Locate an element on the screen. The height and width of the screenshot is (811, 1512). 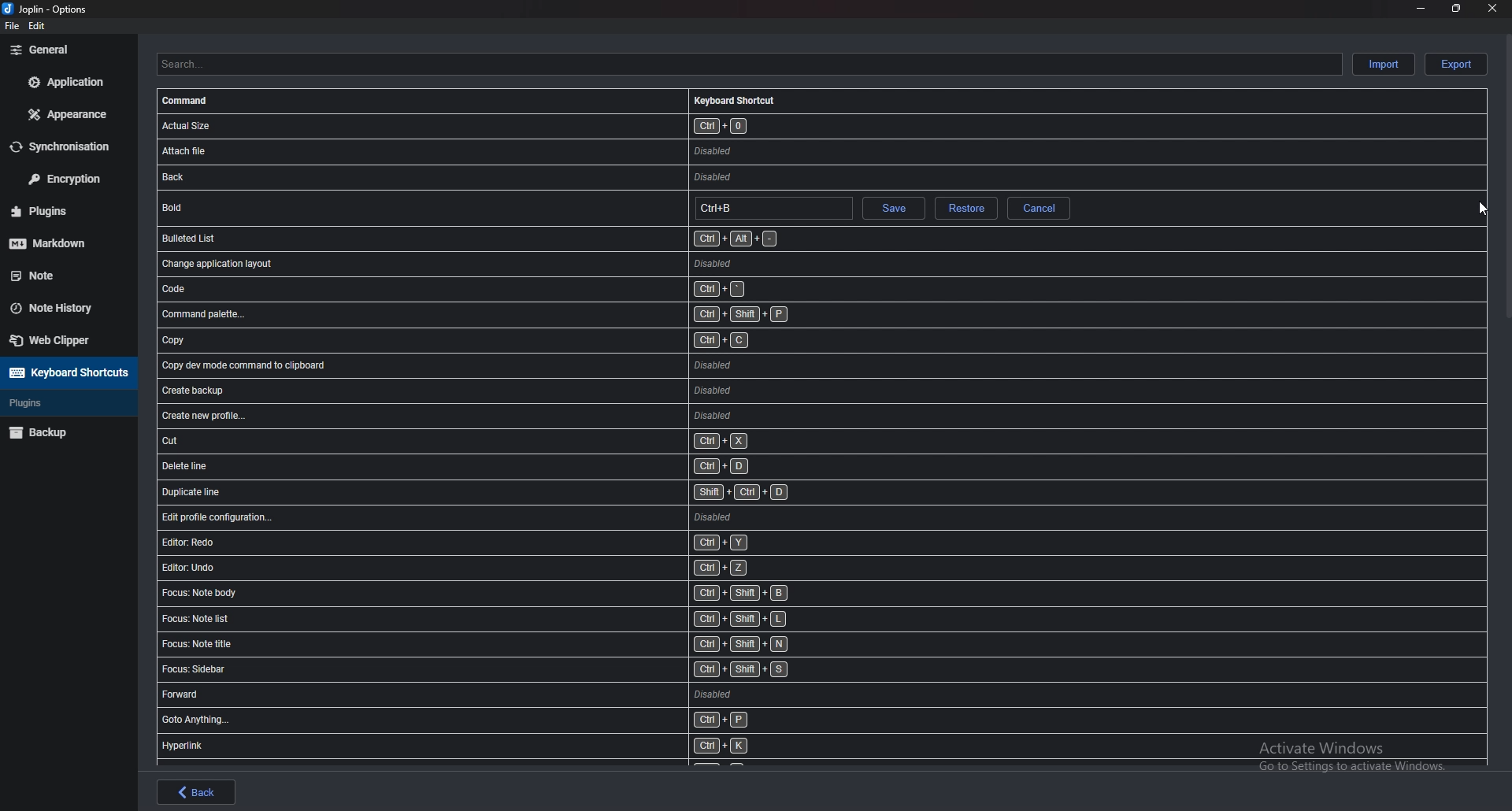
Encryption is located at coordinates (65, 179).